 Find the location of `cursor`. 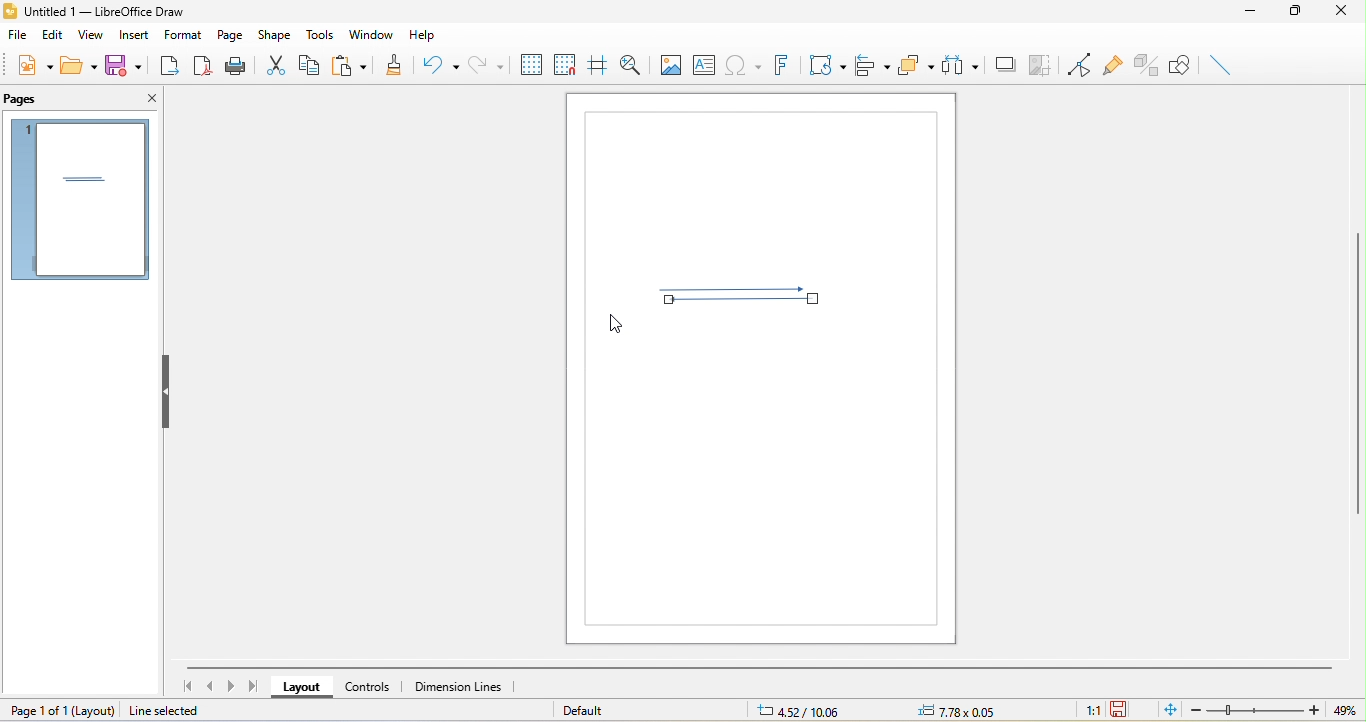

cursor is located at coordinates (614, 327).